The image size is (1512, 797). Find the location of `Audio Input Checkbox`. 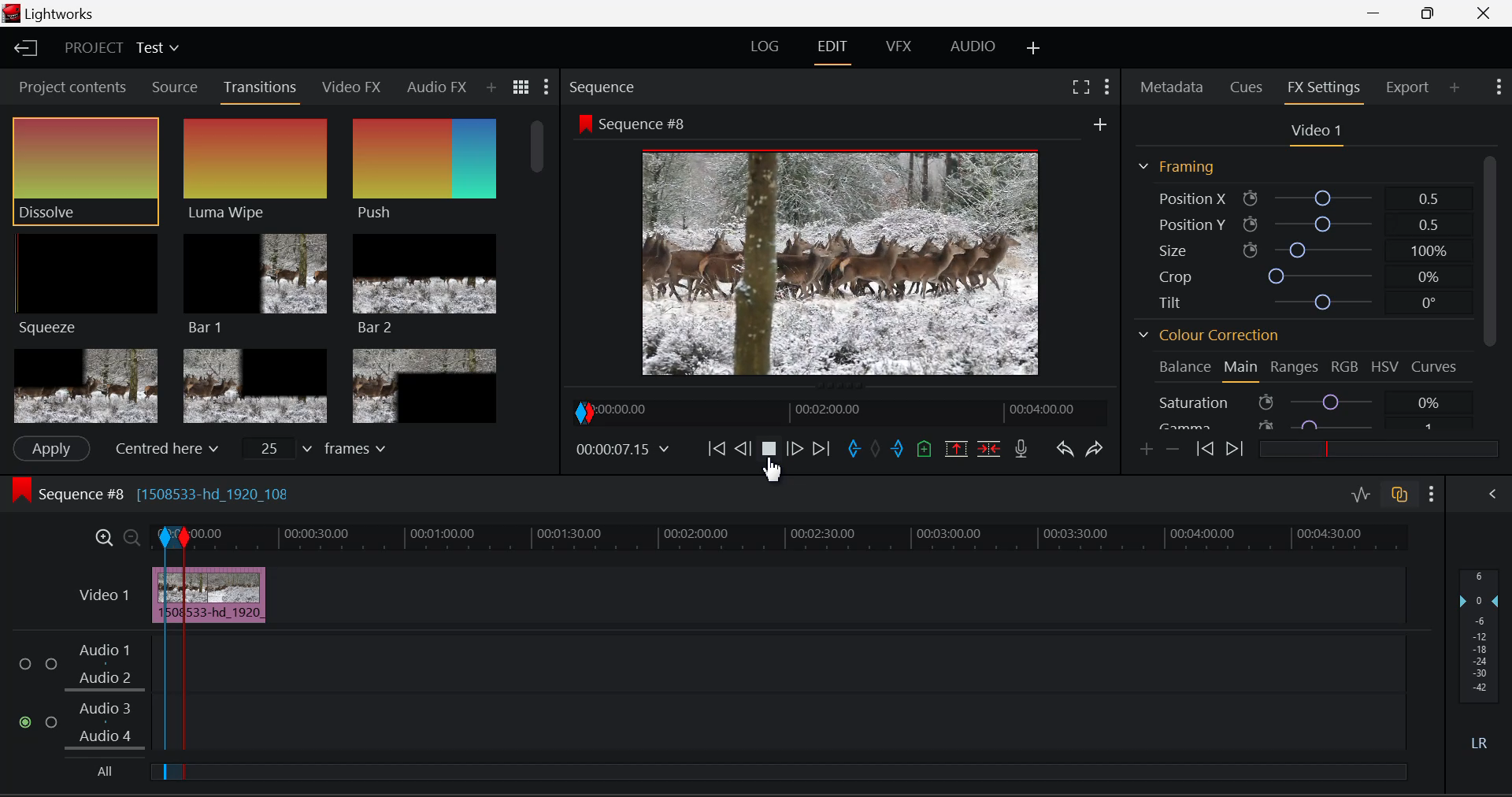

Audio Input Checkbox is located at coordinates (52, 721).